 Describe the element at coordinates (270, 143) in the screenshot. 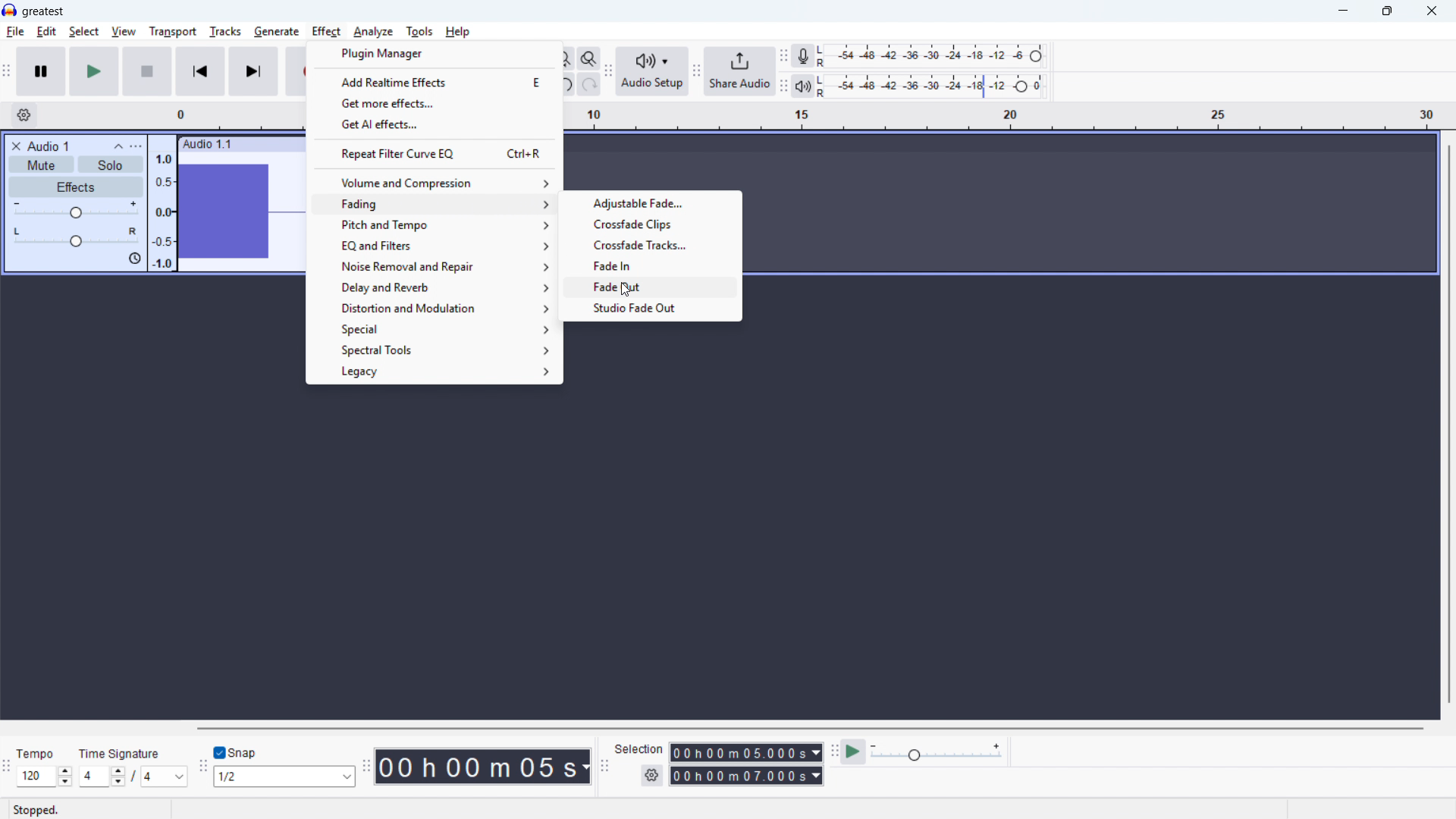

I see `Click to drag ` at that location.